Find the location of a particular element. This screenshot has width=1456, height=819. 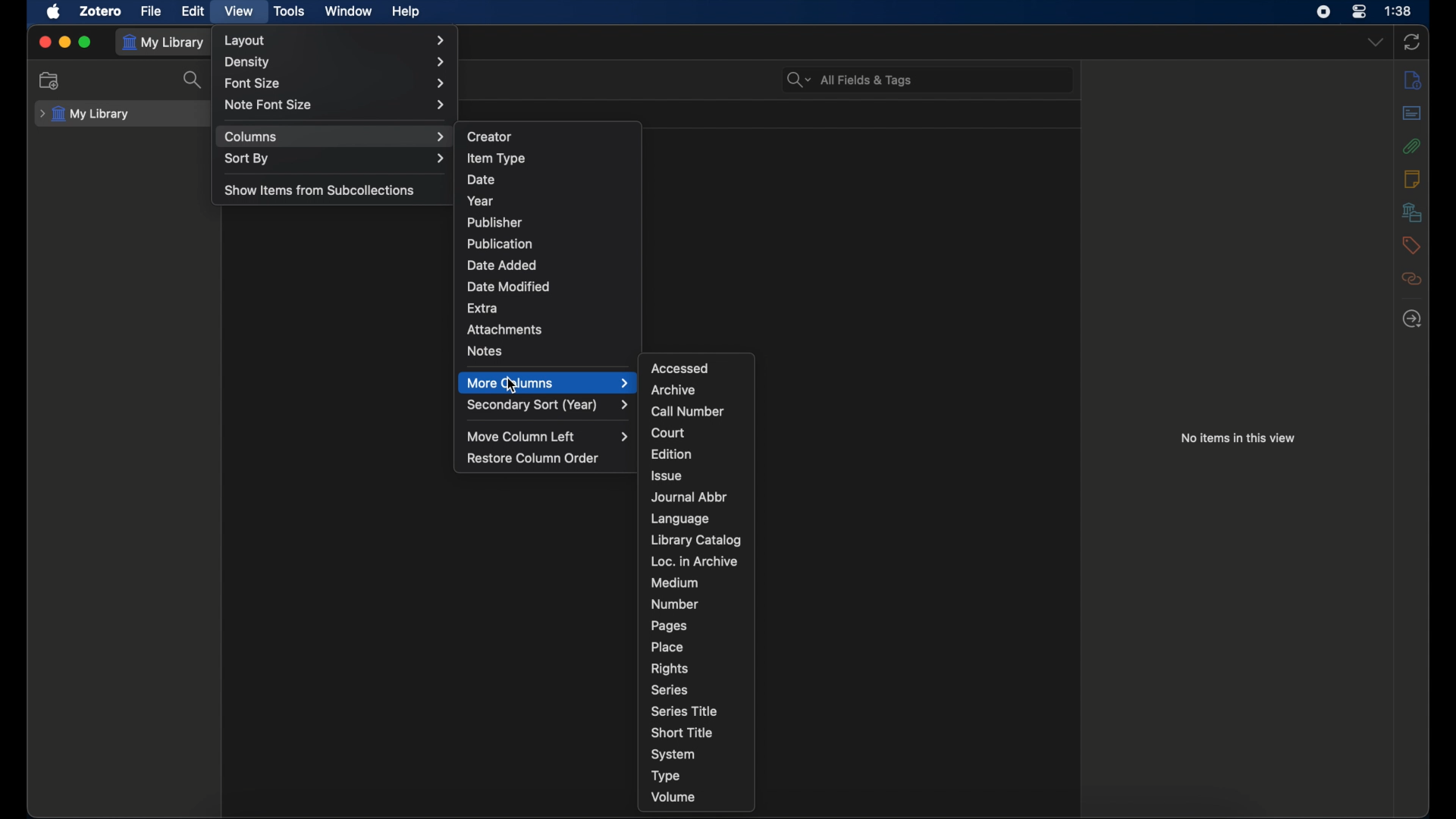

edition is located at coordinates (672, 454).